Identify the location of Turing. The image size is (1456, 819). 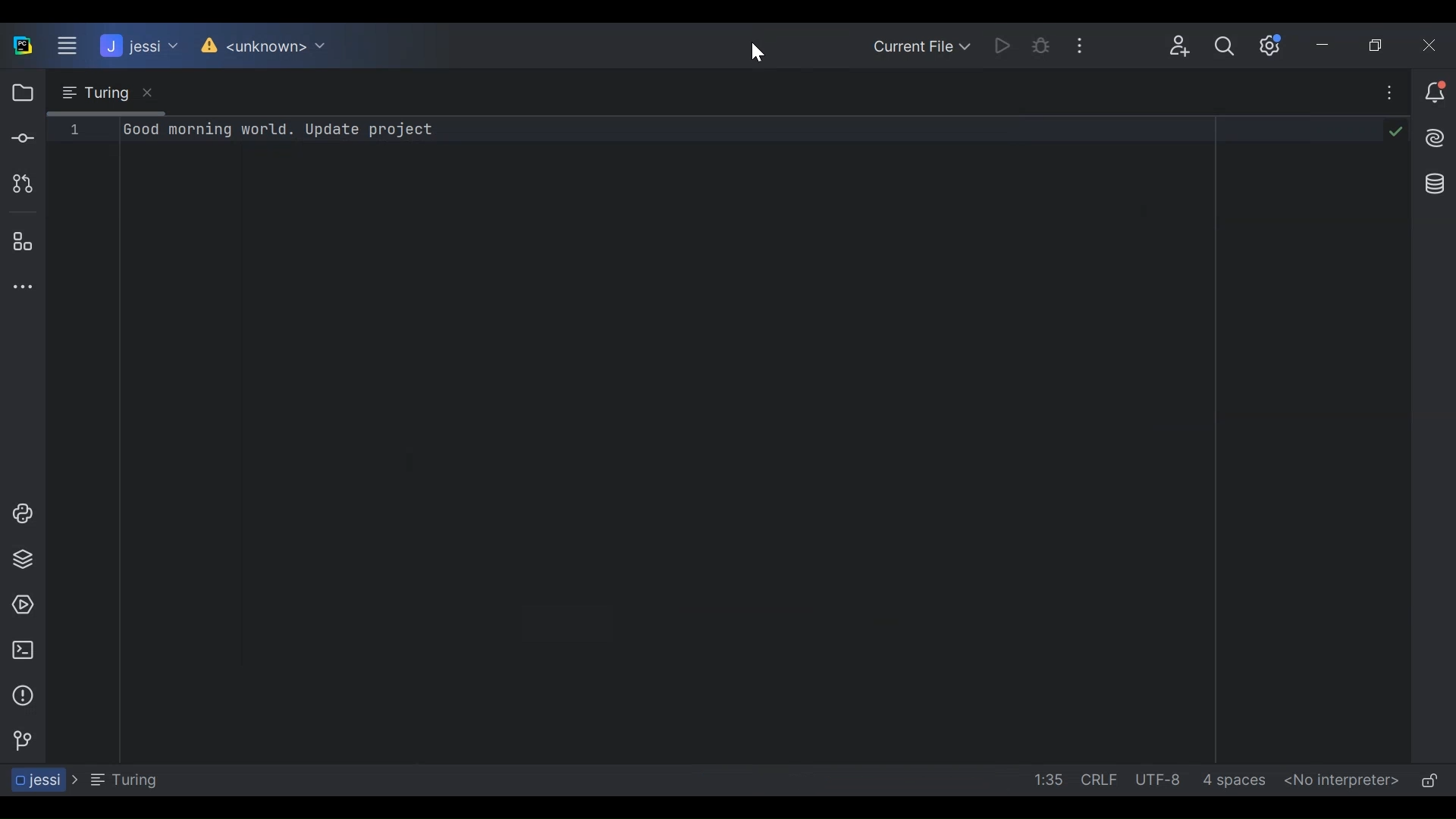
(104, 93).